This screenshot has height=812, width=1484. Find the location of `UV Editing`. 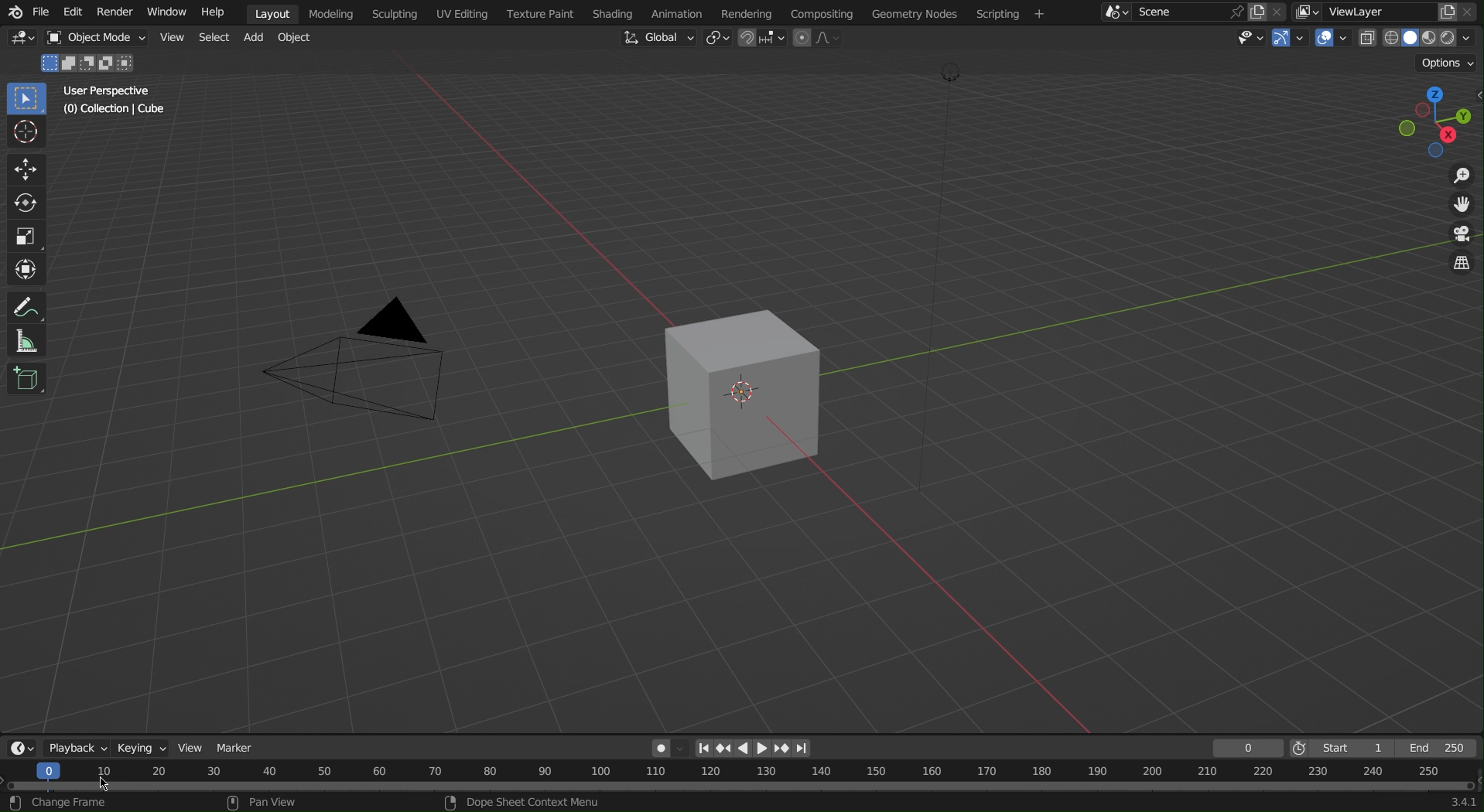

UV Editing is located at coordinates (460, 13).